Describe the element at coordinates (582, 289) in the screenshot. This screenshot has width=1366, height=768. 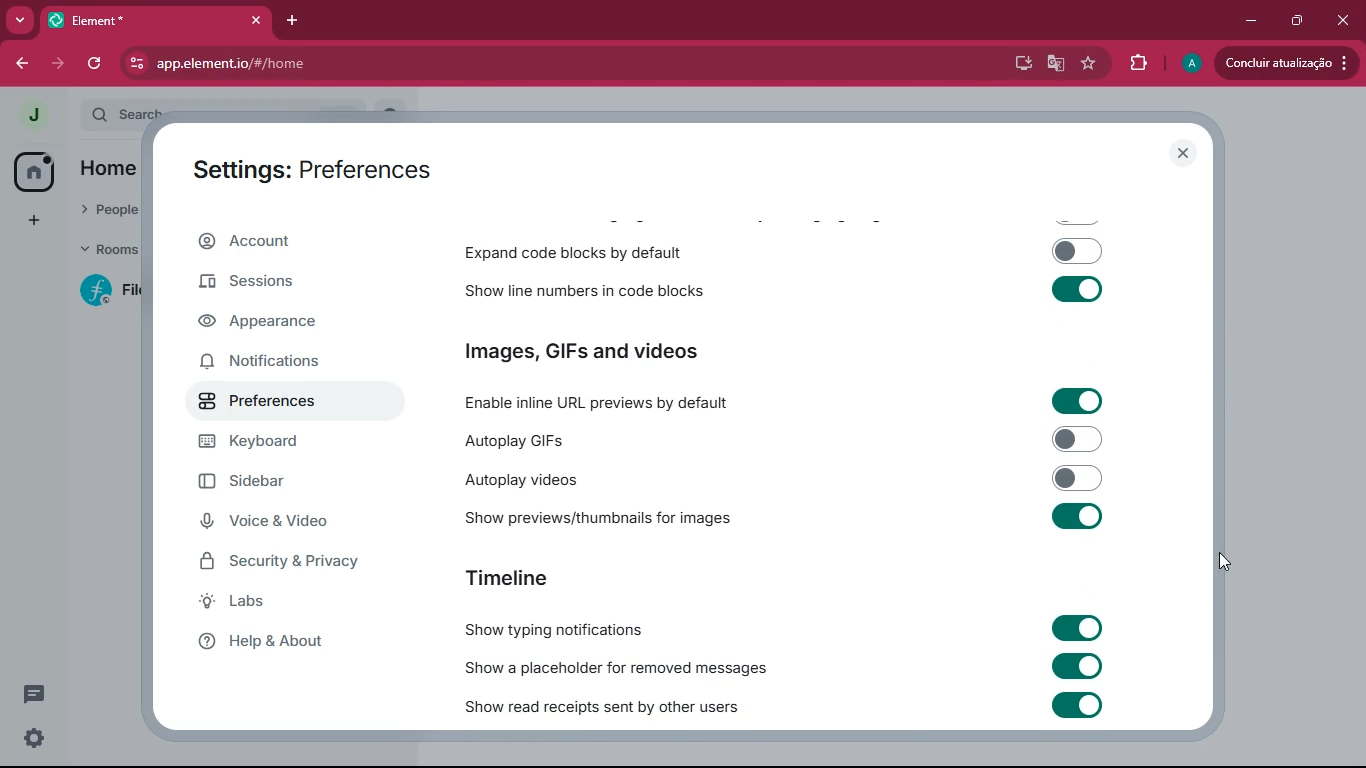
I see `show line numbers in code blocks` at that location.